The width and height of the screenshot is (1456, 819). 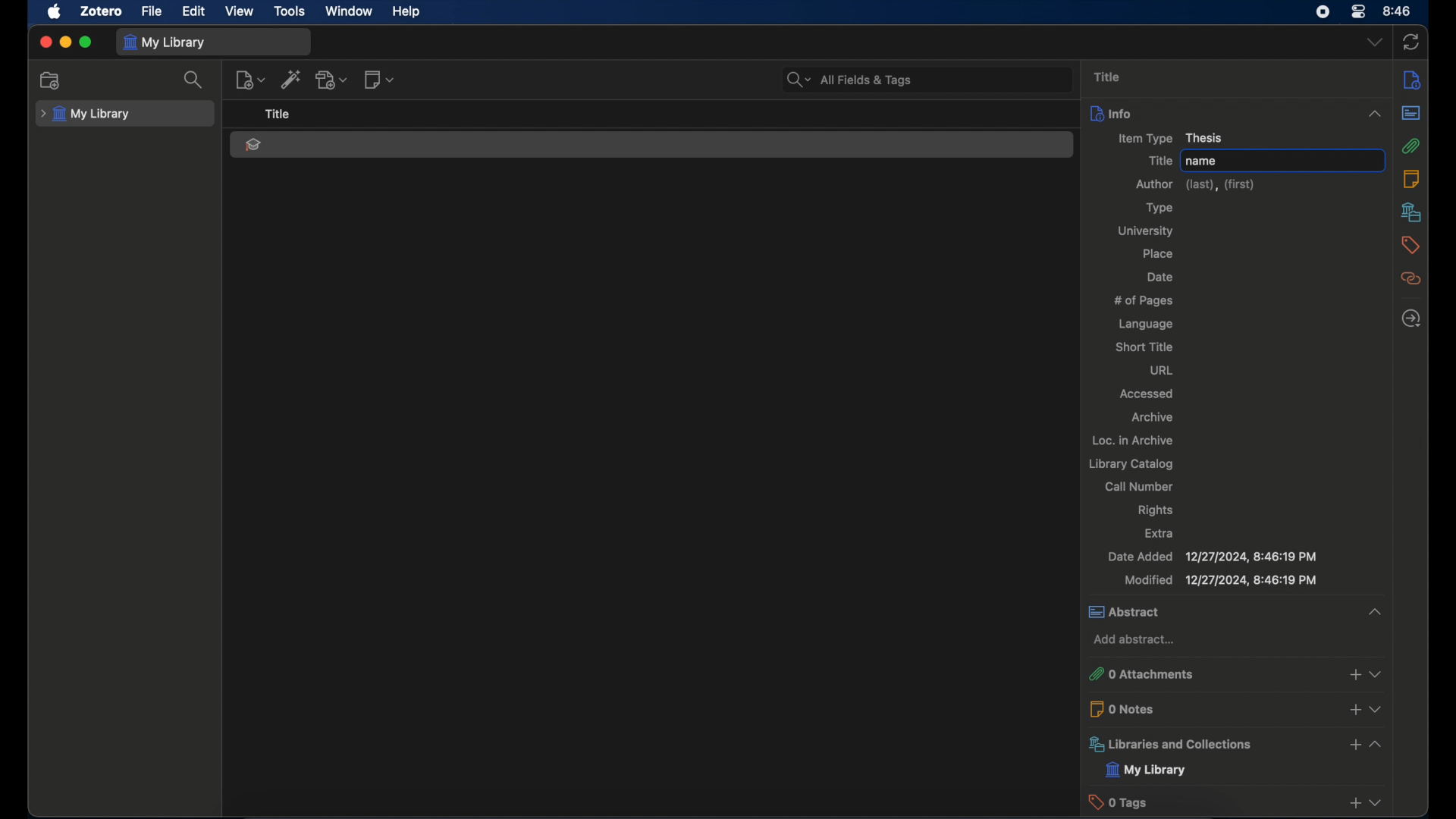 I want to click on rights, so click(x=1155, y=510).